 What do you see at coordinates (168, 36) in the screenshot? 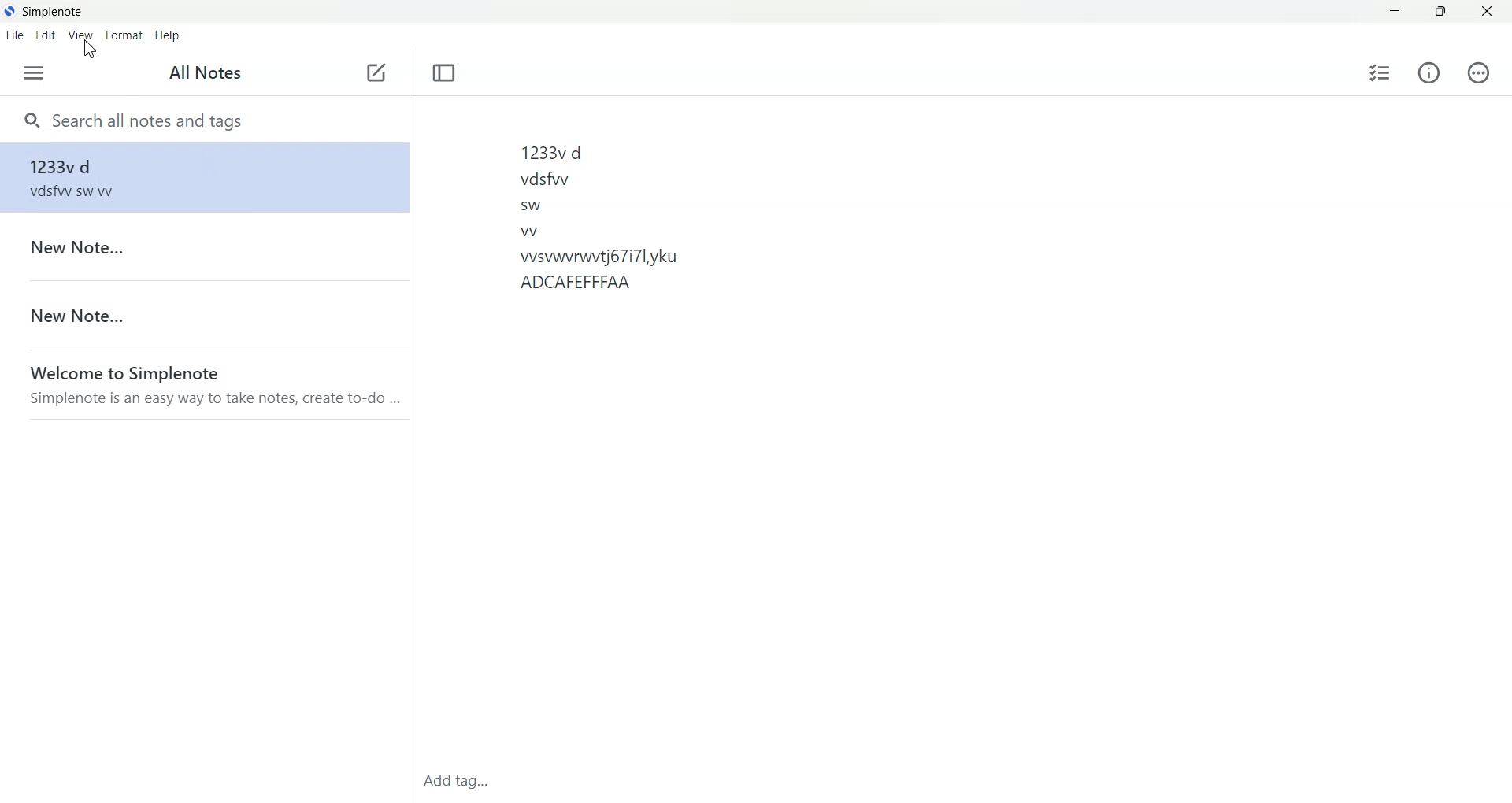
I see `Help` at bounding box center [168, 36].